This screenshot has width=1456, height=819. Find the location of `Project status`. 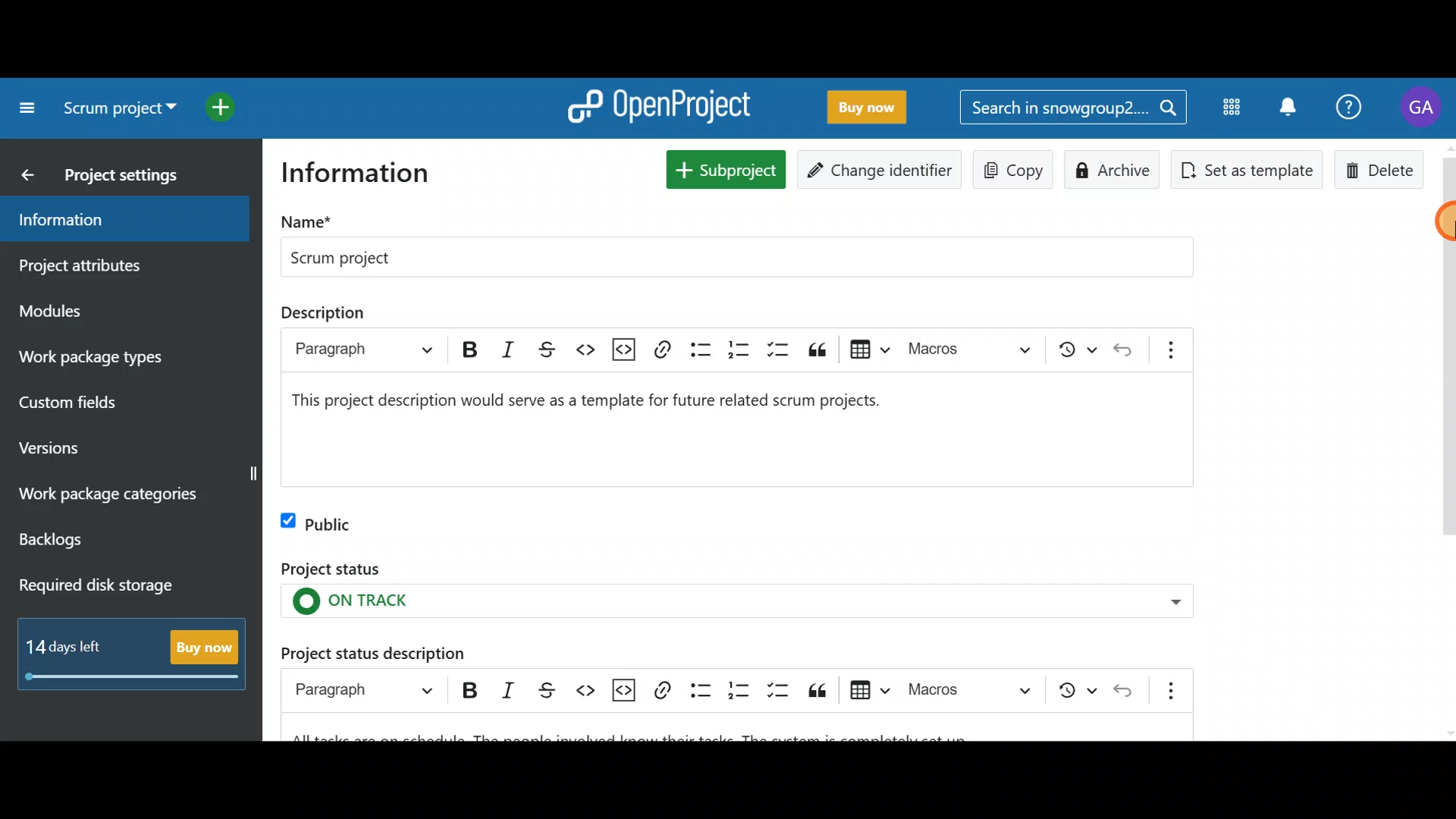

Project status is located at coordinates (732, 592).